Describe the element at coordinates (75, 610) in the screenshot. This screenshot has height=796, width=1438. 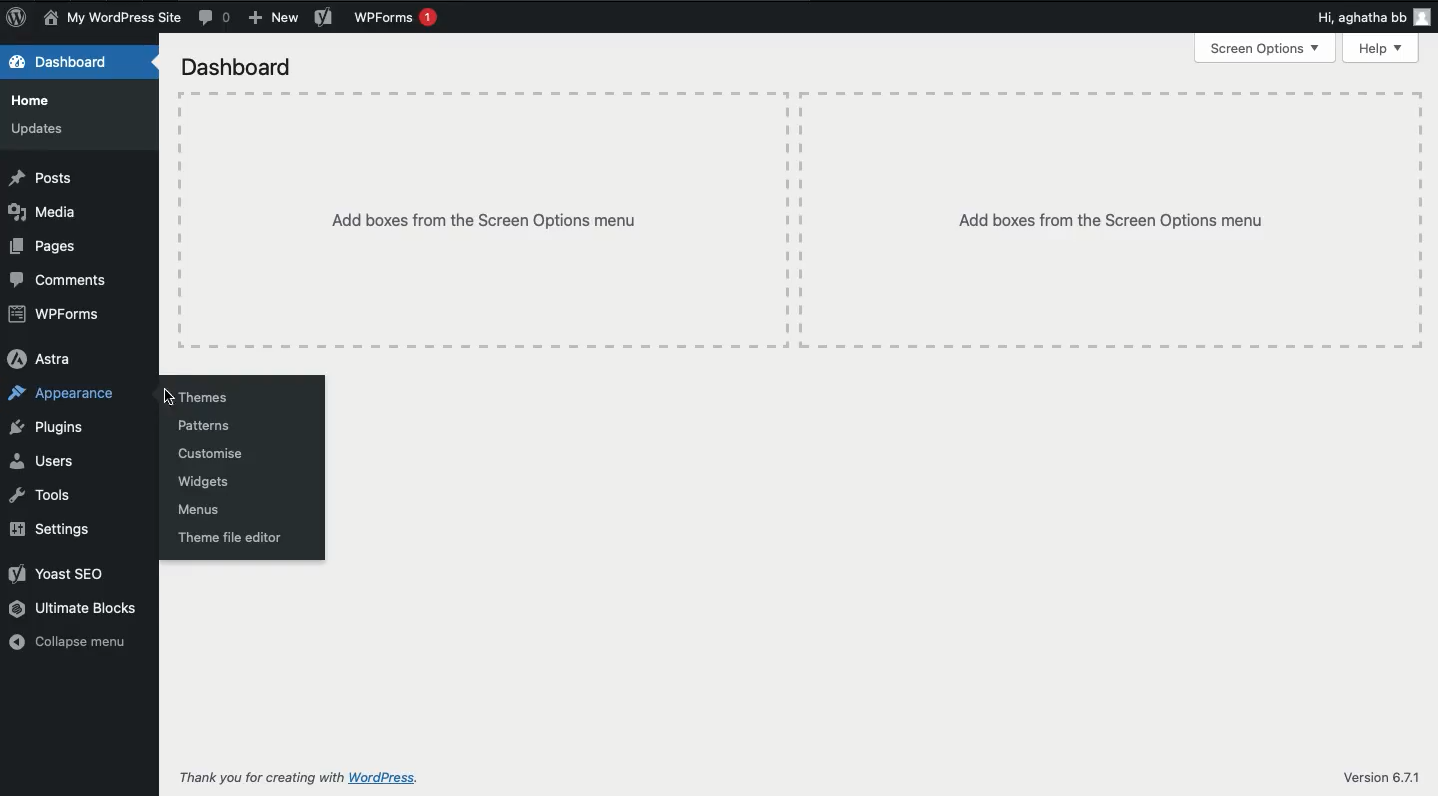
I see `Ultimate blocks` at that location.